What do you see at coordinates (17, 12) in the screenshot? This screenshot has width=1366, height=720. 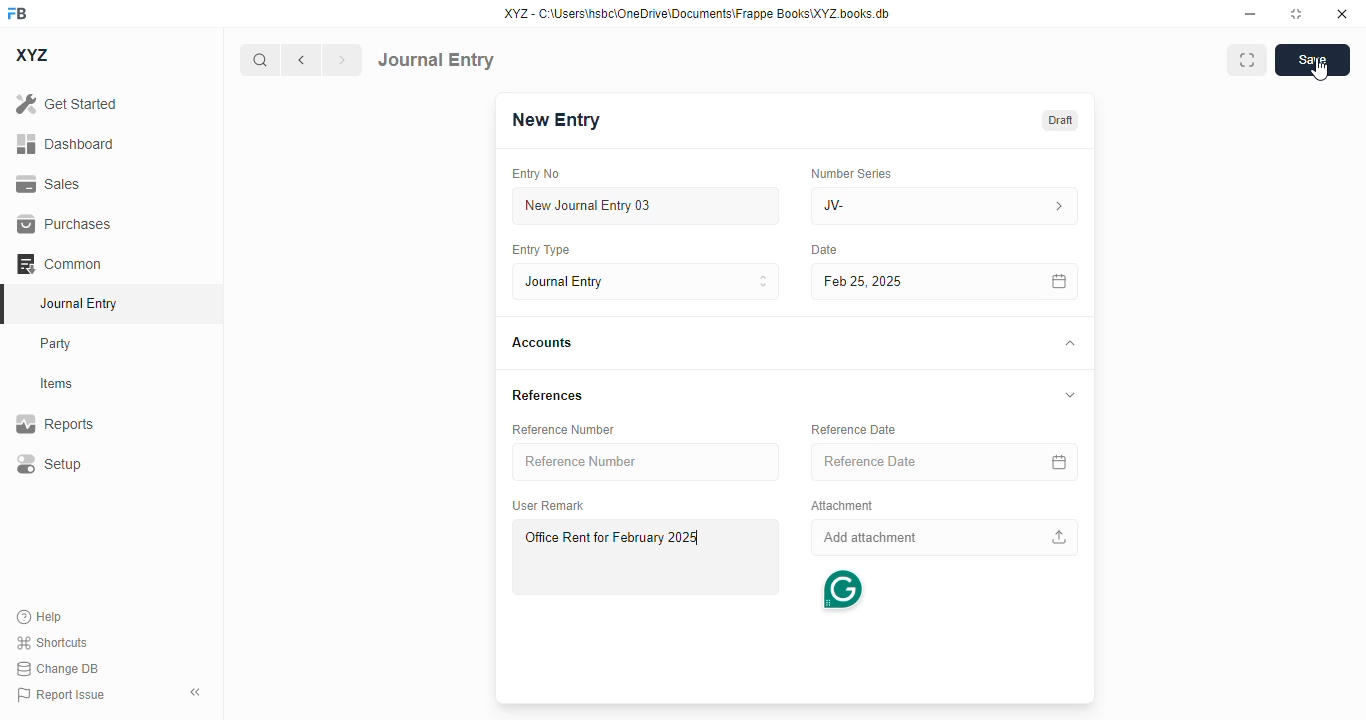 I see `FB logo` at bounding box center [17, 12].